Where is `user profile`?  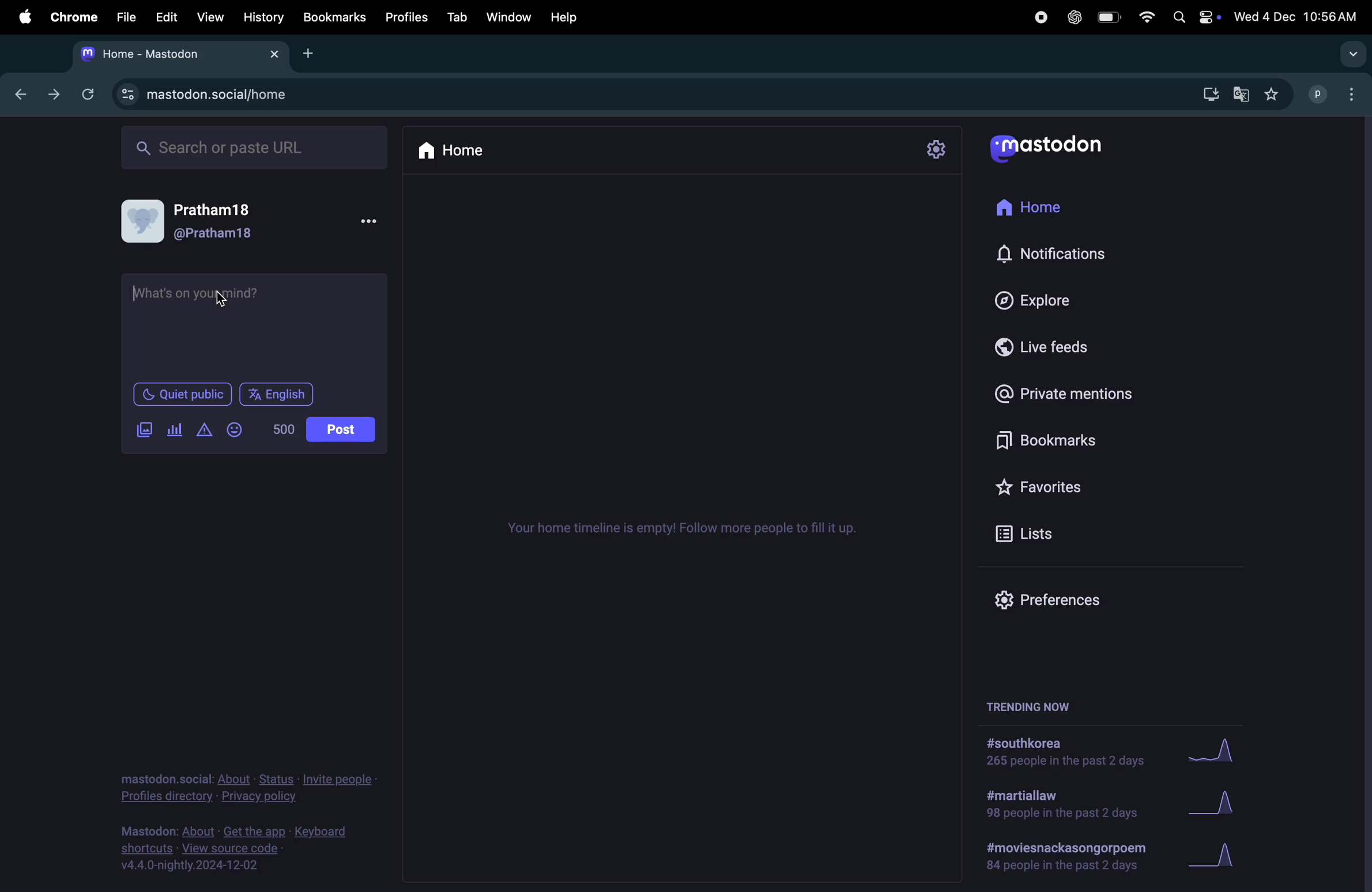 user profile is located at coordinates (1336, 92).